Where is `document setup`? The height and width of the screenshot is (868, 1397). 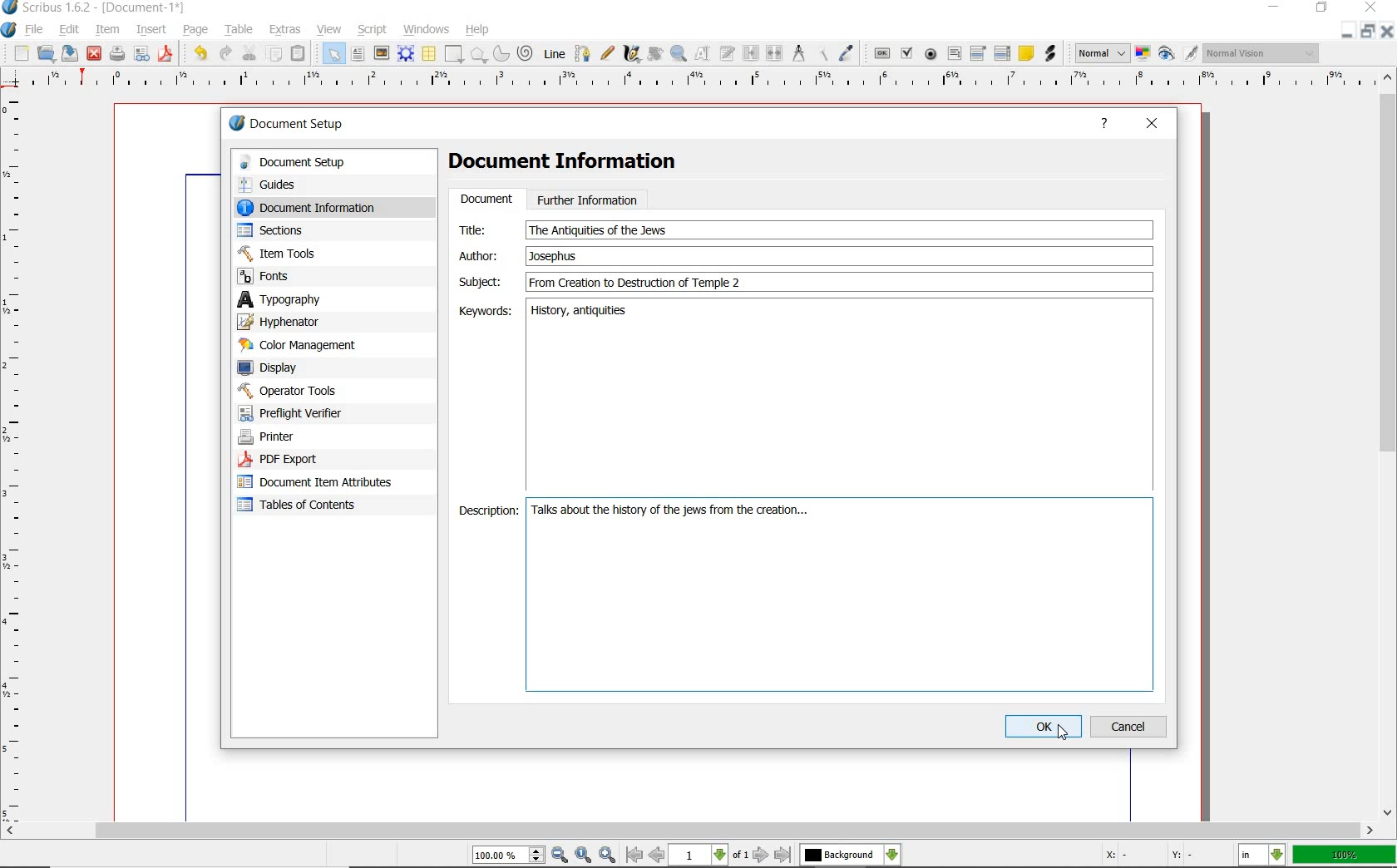
document setup is located at coordinates (288, 123).